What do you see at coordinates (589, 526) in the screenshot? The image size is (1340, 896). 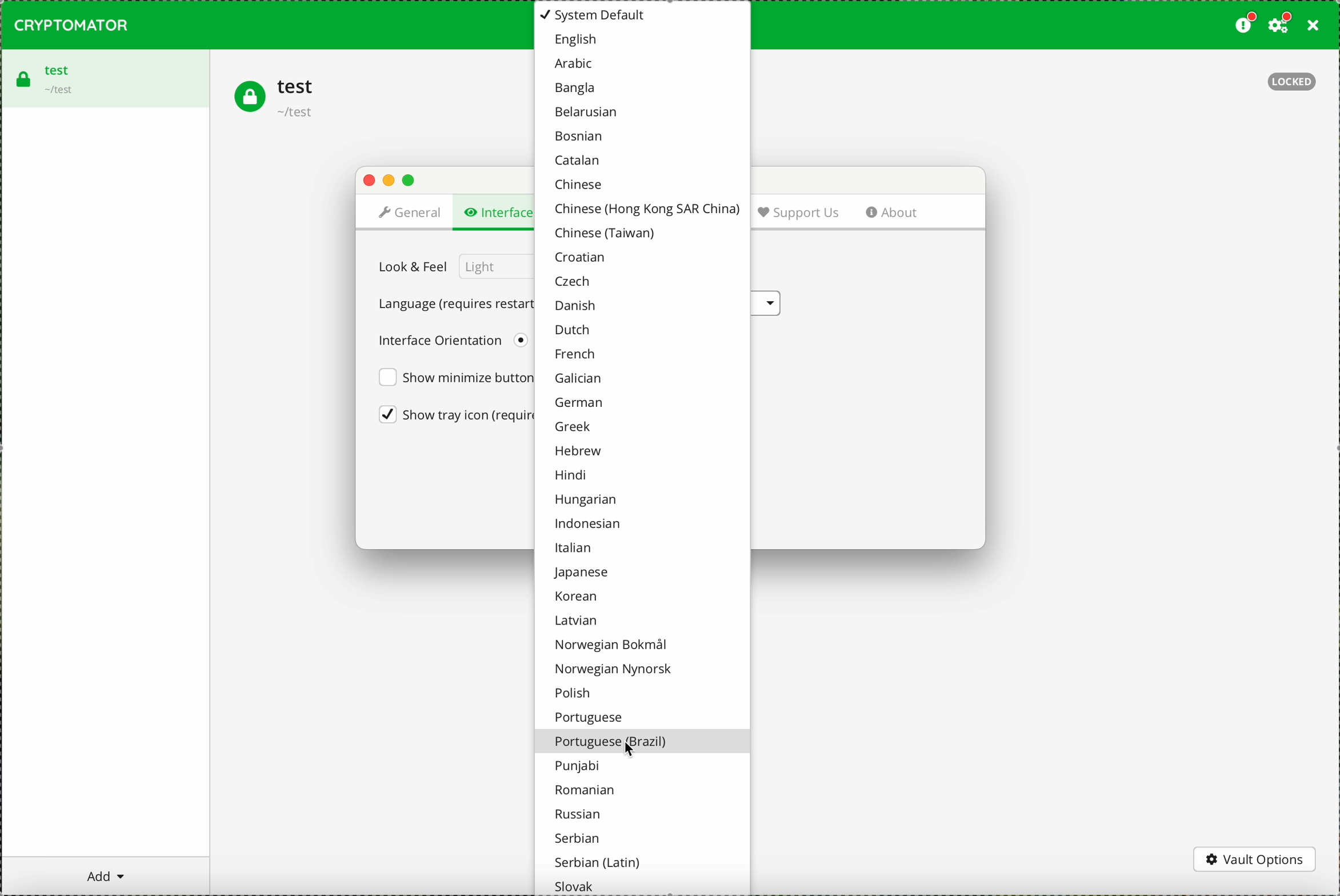 I see `indonesian` at bounding box center [589, 526].